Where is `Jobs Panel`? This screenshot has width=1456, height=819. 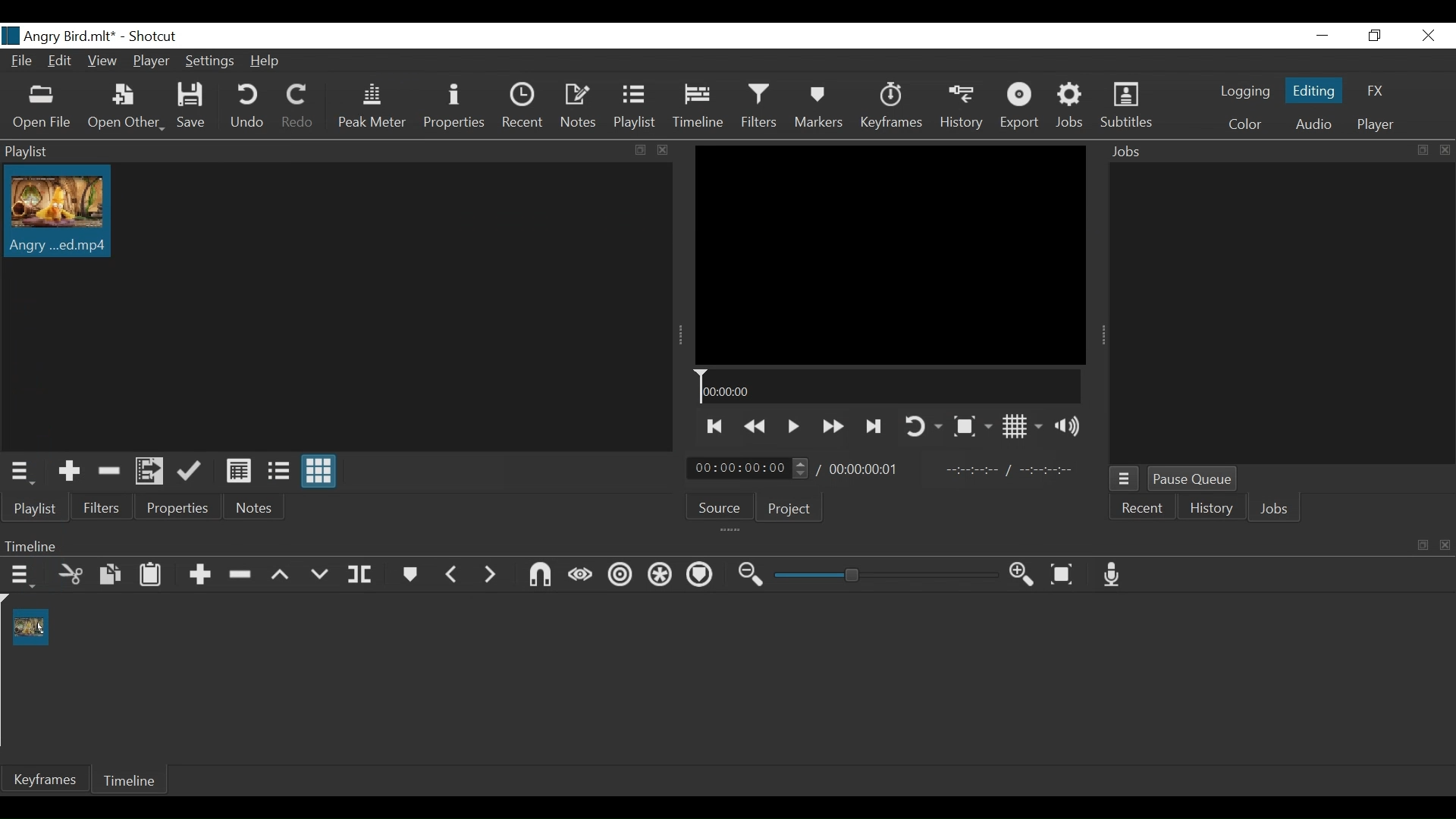 Jobs Panel is located at coordinates (1282, 149).